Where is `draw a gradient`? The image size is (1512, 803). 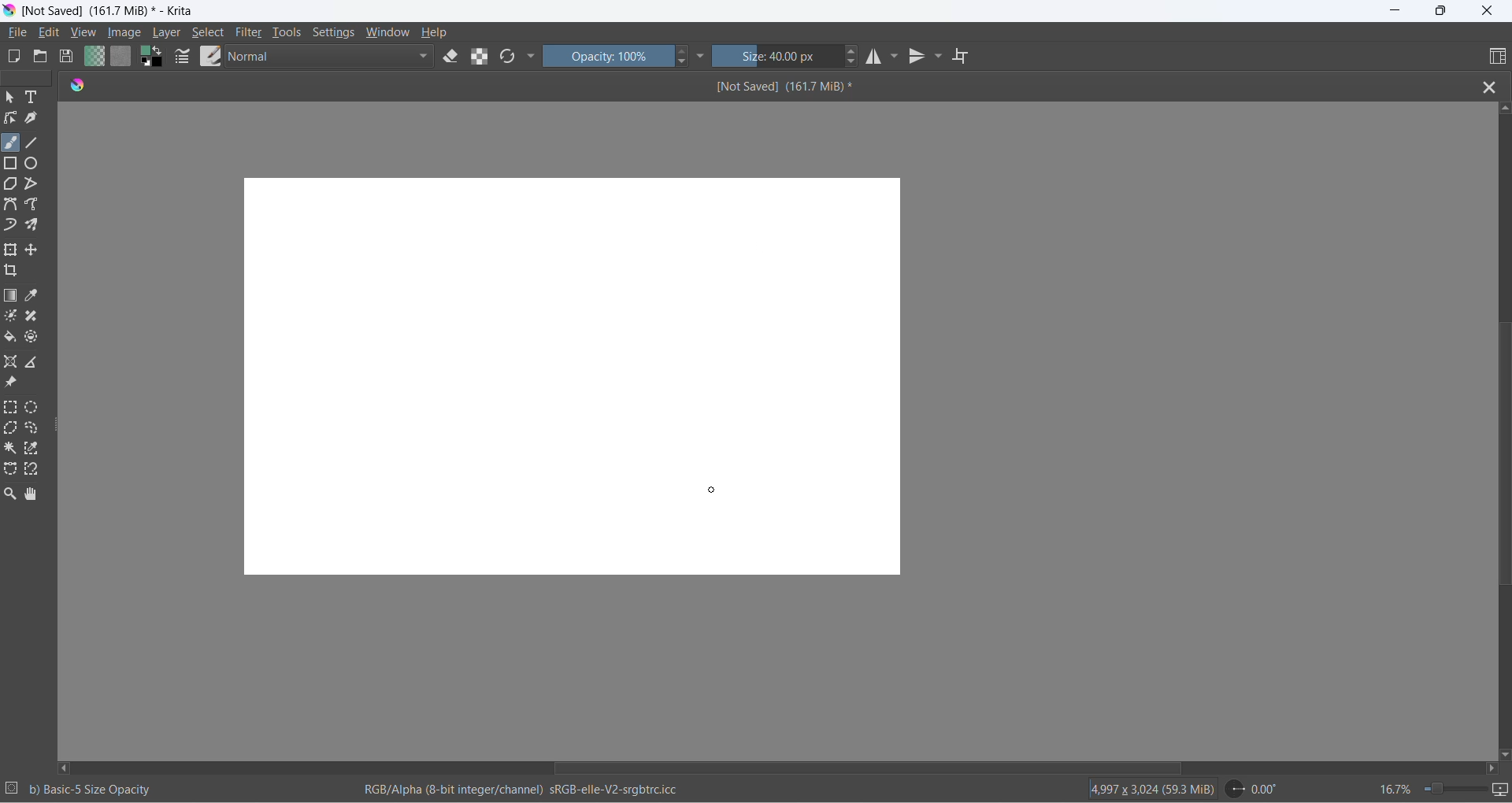
draw a gradient is located at coordinates (13, 297).